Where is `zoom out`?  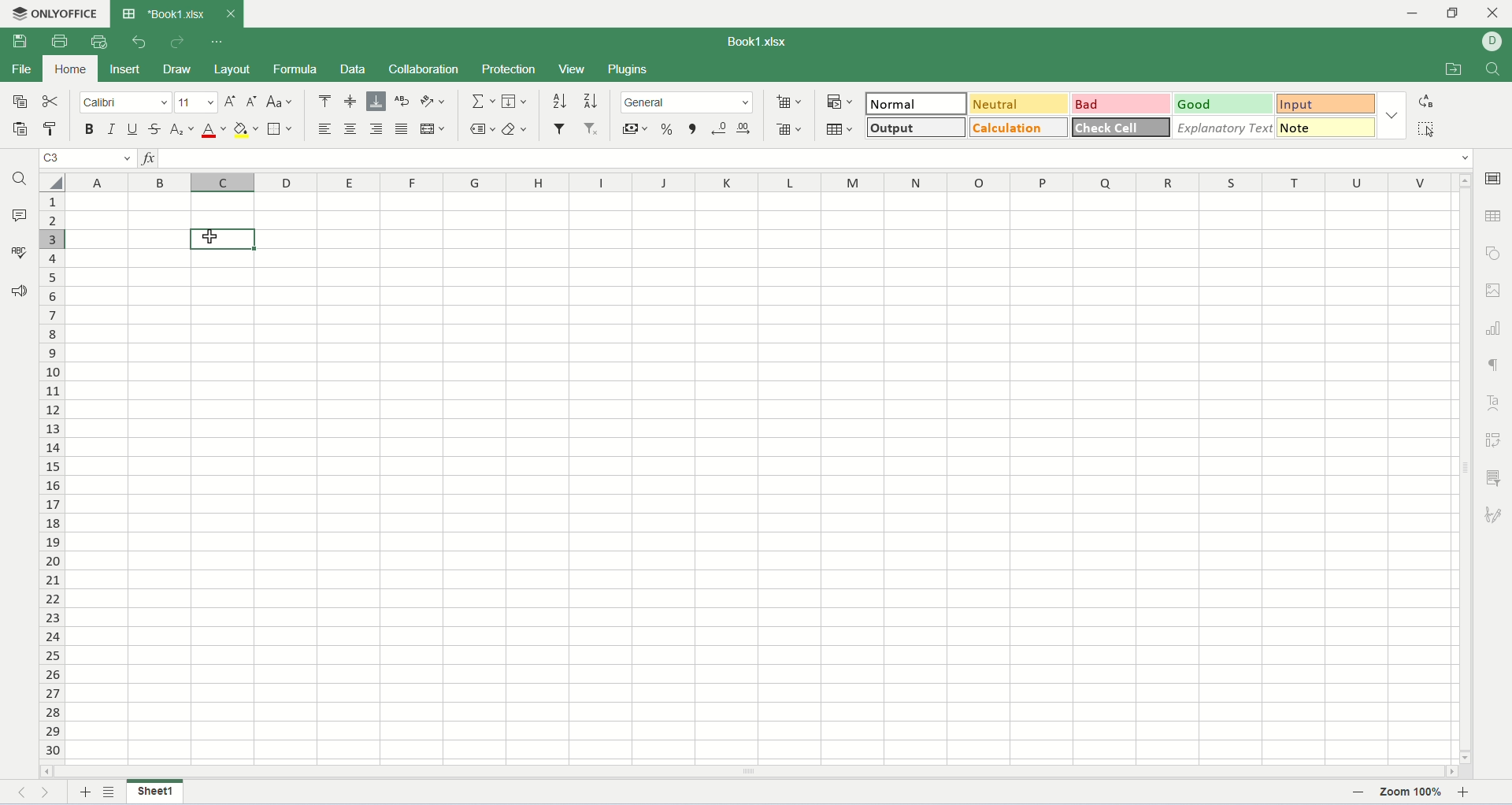
zoom out is located at coordinates (1358, 792).